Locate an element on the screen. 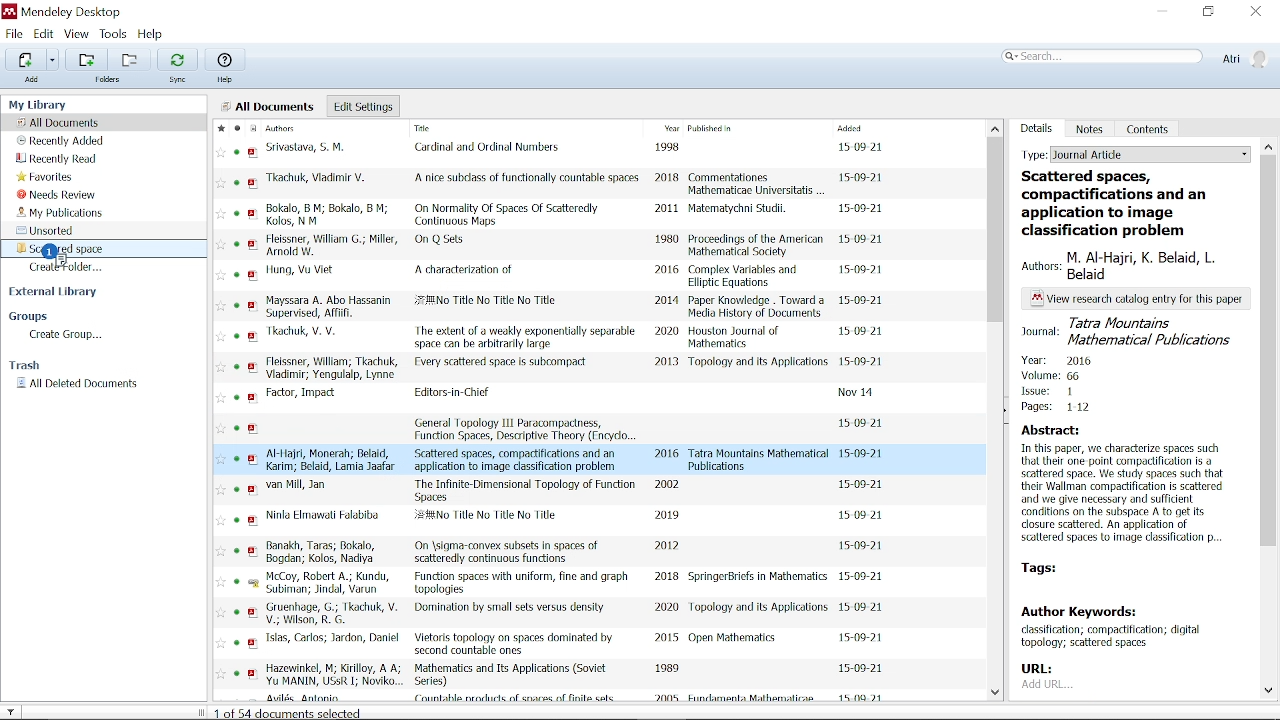 The height and width of the screenshot is (720, 1280). Commentationes
Mathematicae Universitatis is located at coordinates (757, 182).